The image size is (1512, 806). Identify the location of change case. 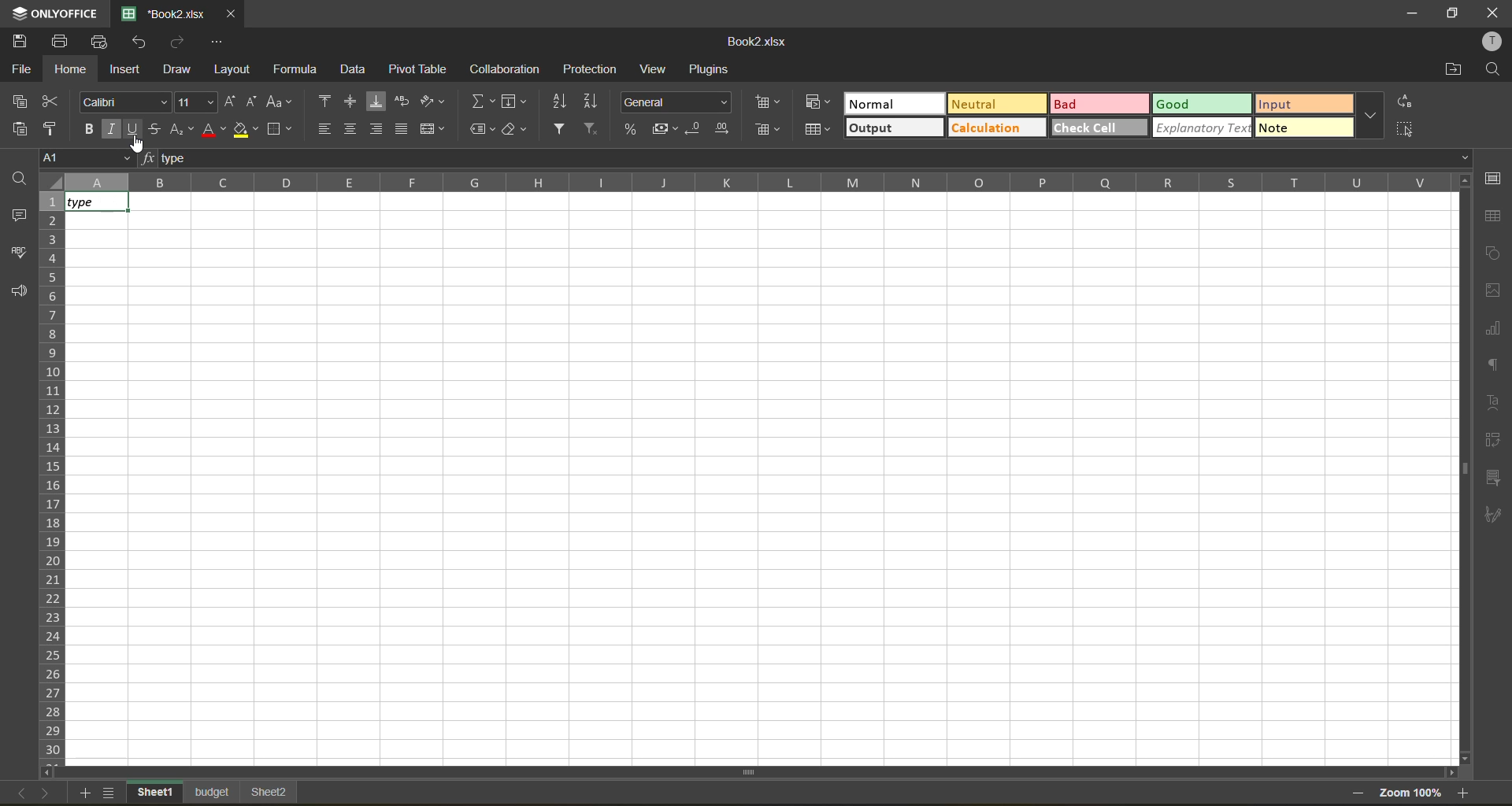
(280, 101).